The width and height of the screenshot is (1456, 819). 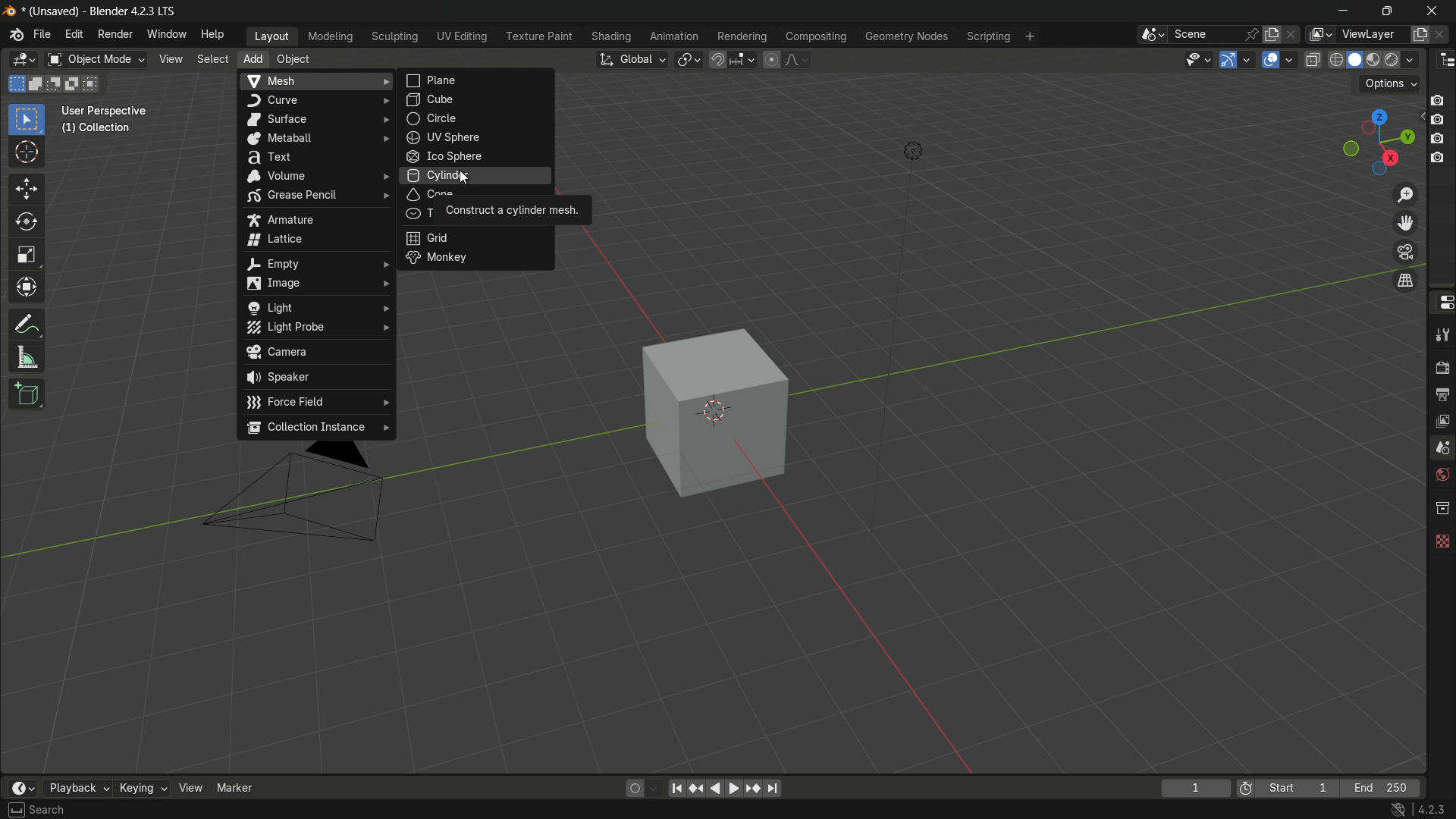 I want to click on show overlay, so click(x=1272, y=60).